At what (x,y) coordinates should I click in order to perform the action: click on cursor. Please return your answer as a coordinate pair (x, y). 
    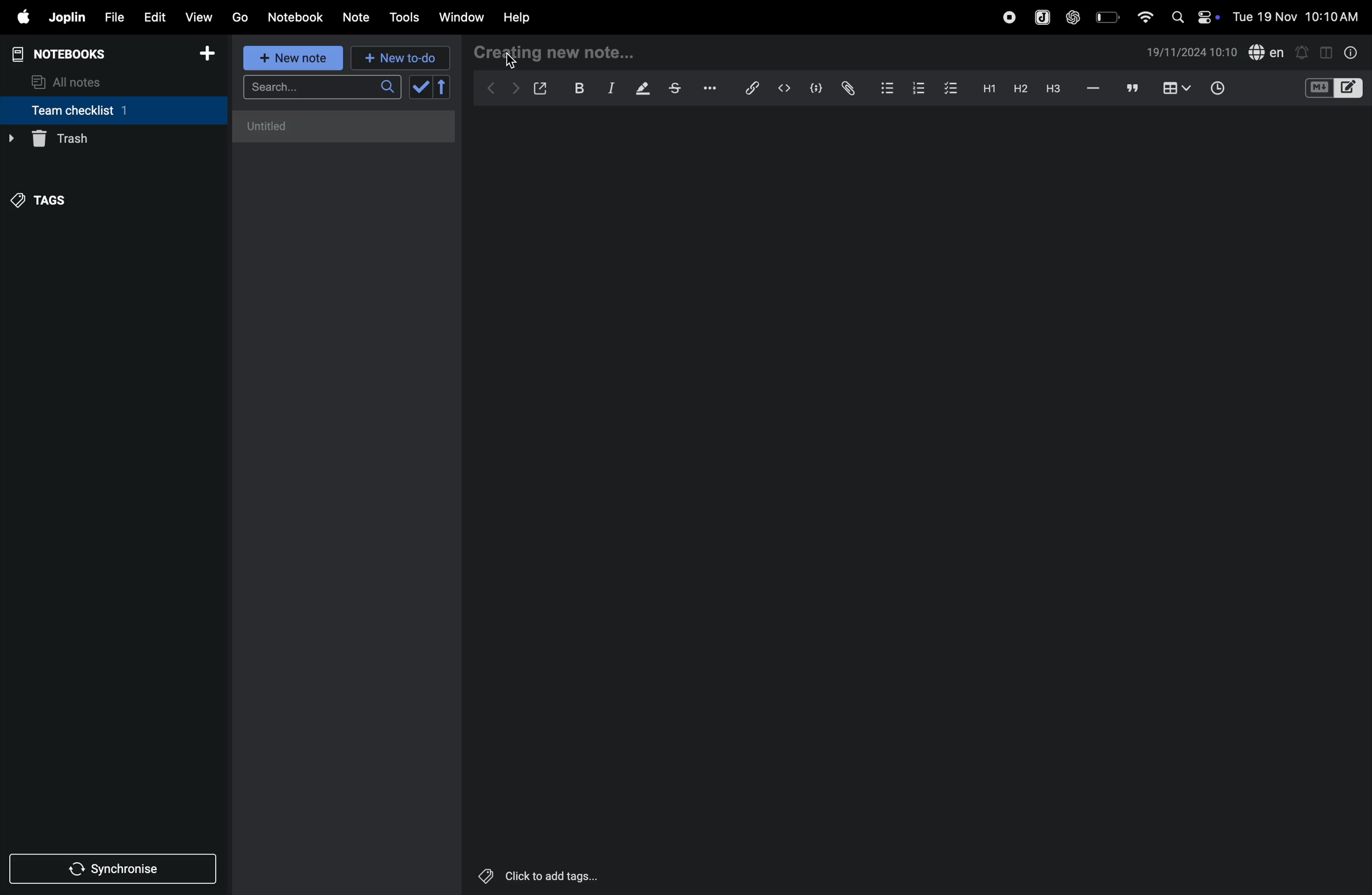
    Looking at the image, I should click on (512, 59).